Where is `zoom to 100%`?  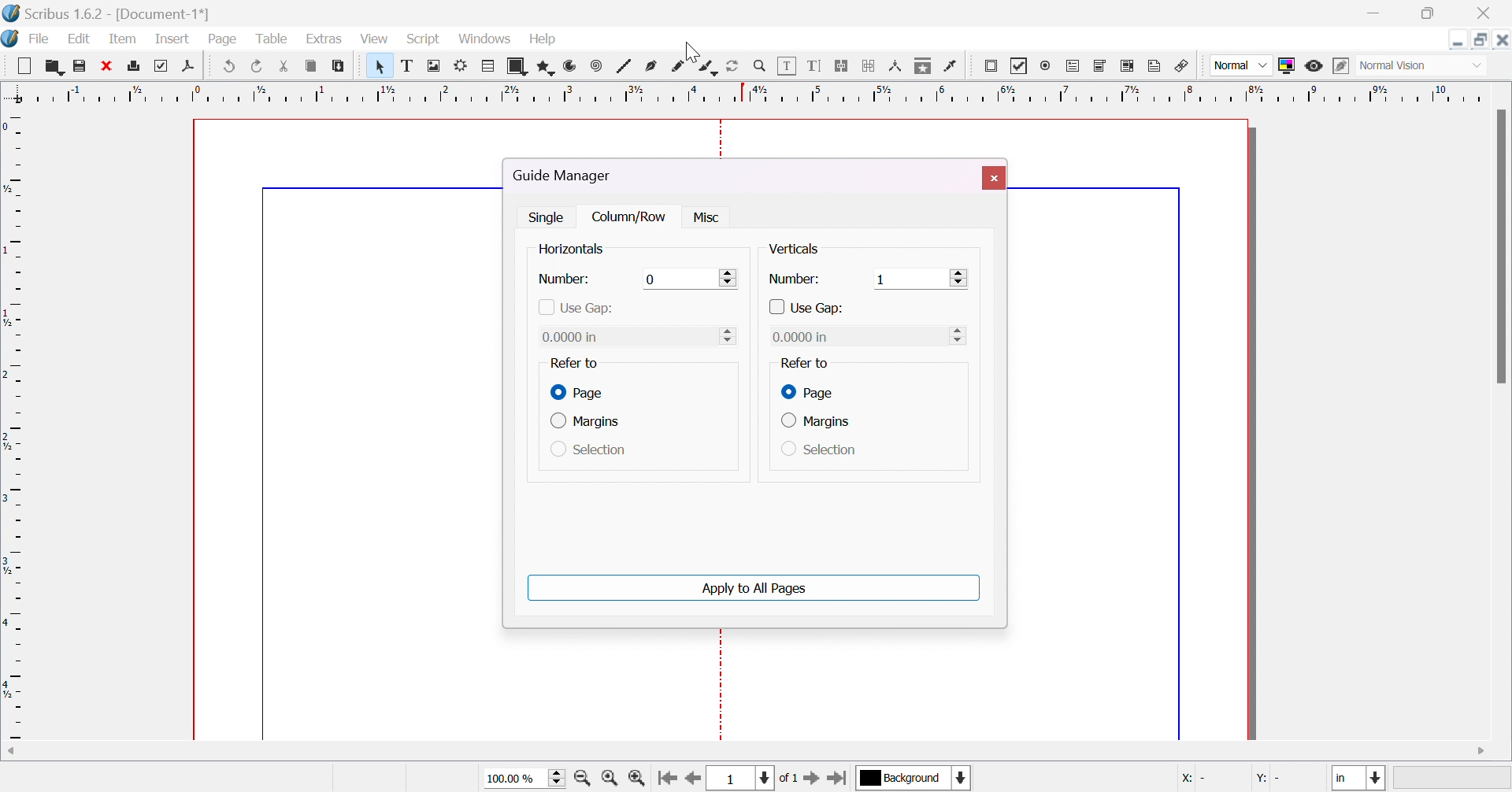 zoom to 100% is located at coordinates (610, 777).